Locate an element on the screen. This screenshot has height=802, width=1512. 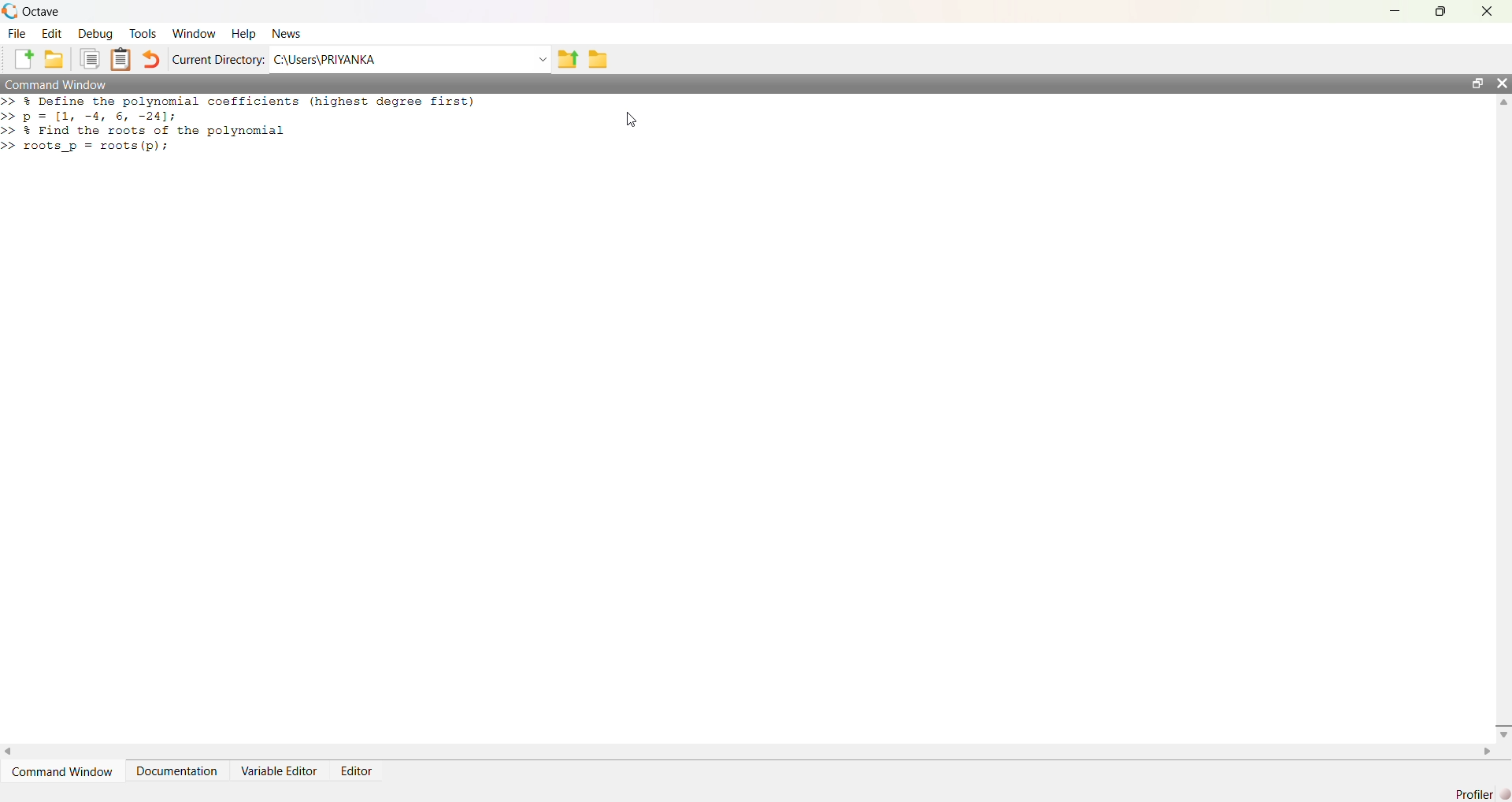
Create a new file is located at coordinates (22, 58).